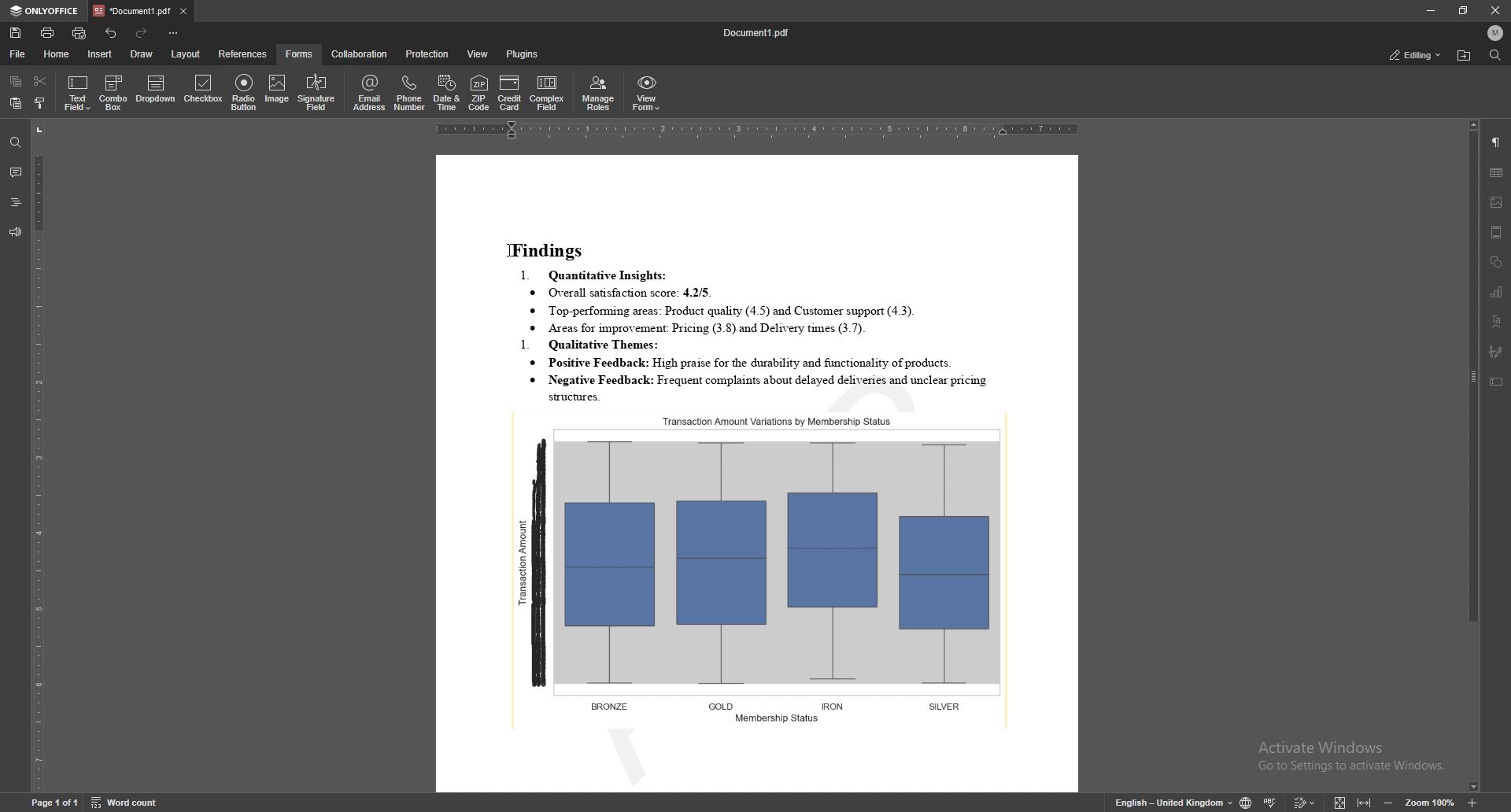 This screenshot has height=812, width=1511. What do you see at coordinates (479, 54) in the screenshot?
I see `view` at bounding box center [479, 54].